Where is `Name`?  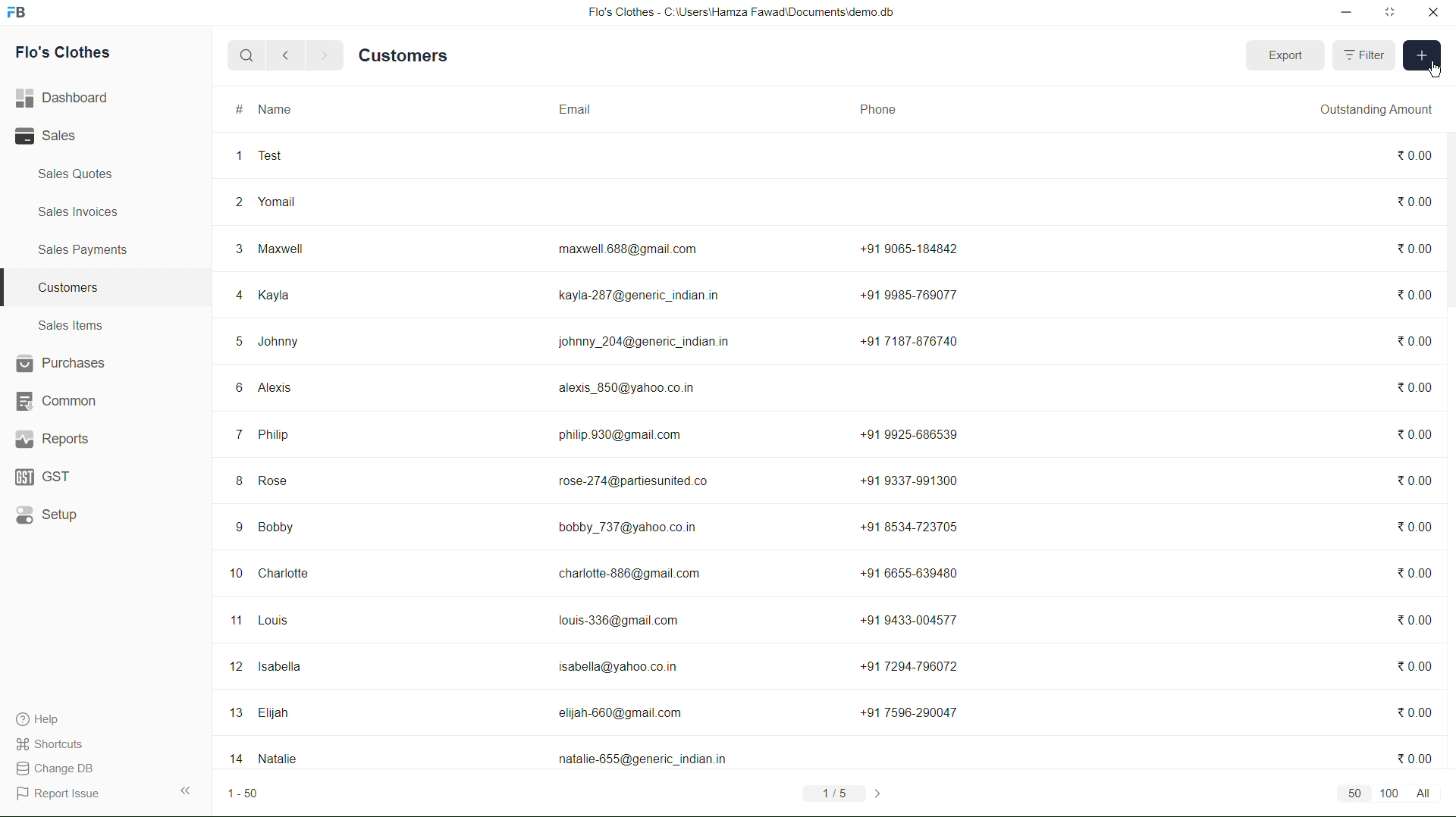
Name is located at coordinates (276, 109).